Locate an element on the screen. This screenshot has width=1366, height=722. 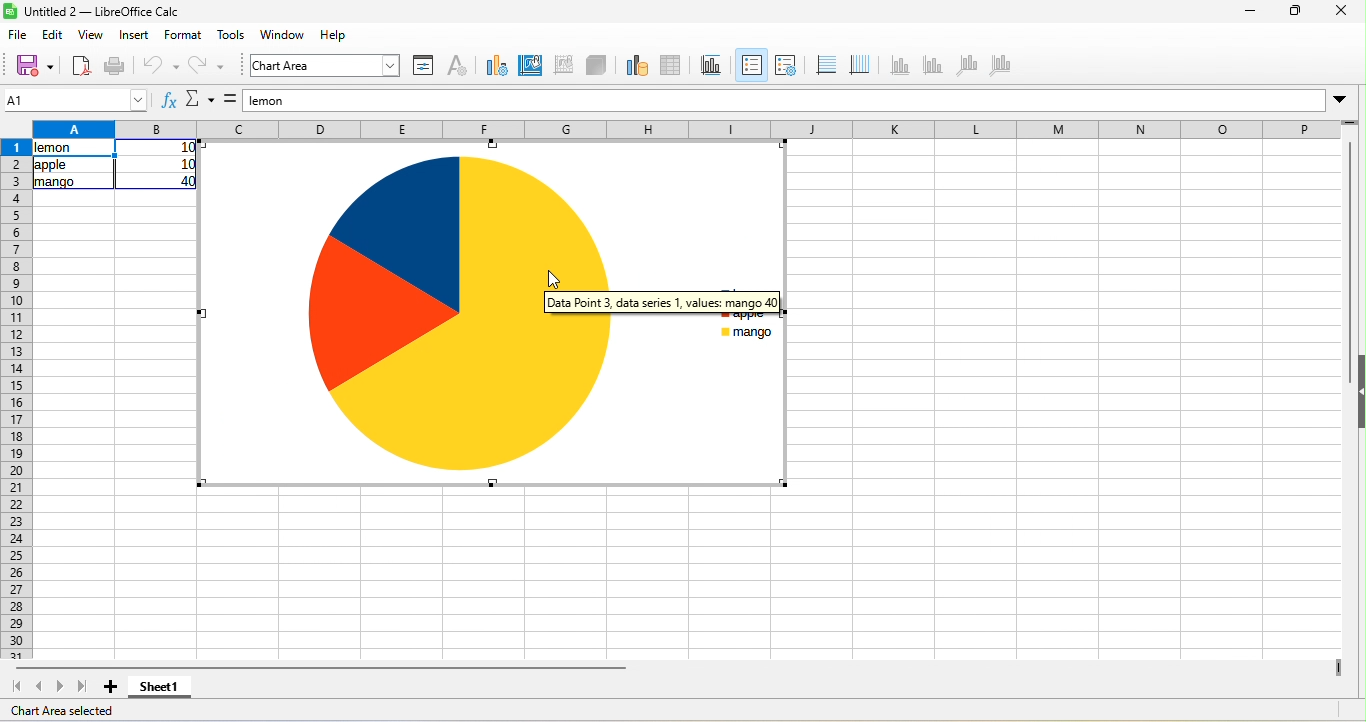
formula is located at coordinates (230, 102).